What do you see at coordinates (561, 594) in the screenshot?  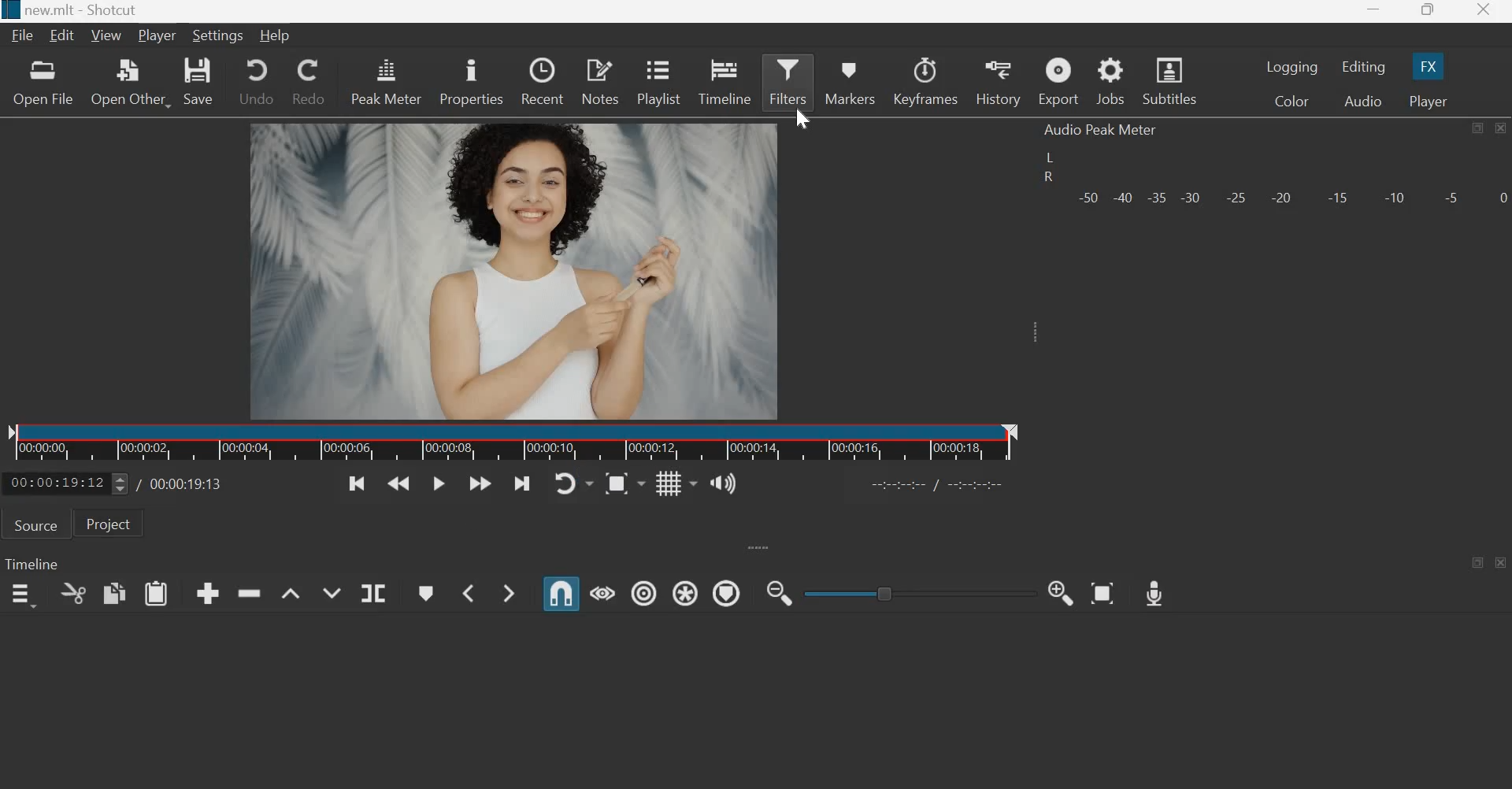 I see `Snap` at bounding box center [561, 594].